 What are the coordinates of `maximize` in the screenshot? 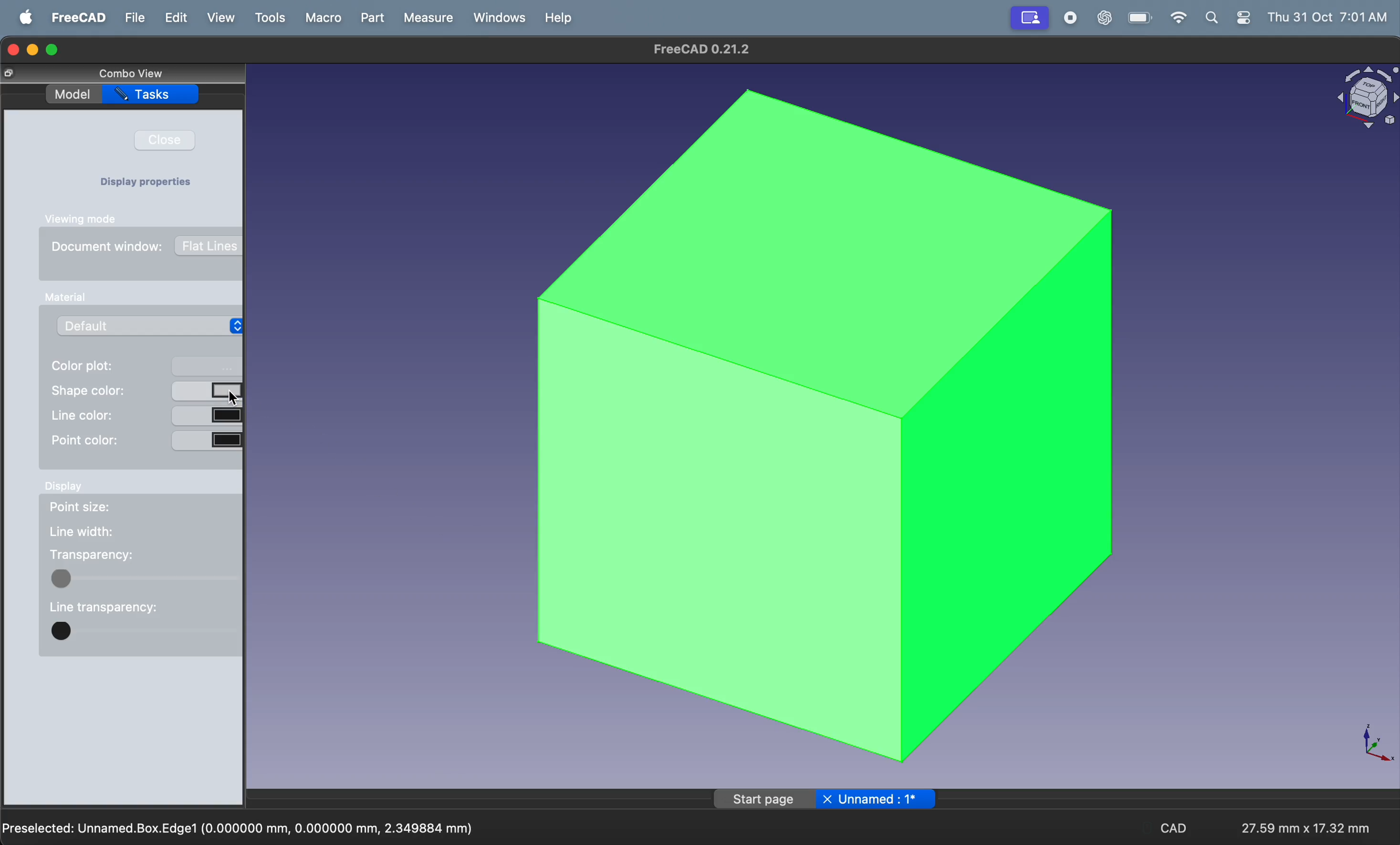 It's located at (53, 51).